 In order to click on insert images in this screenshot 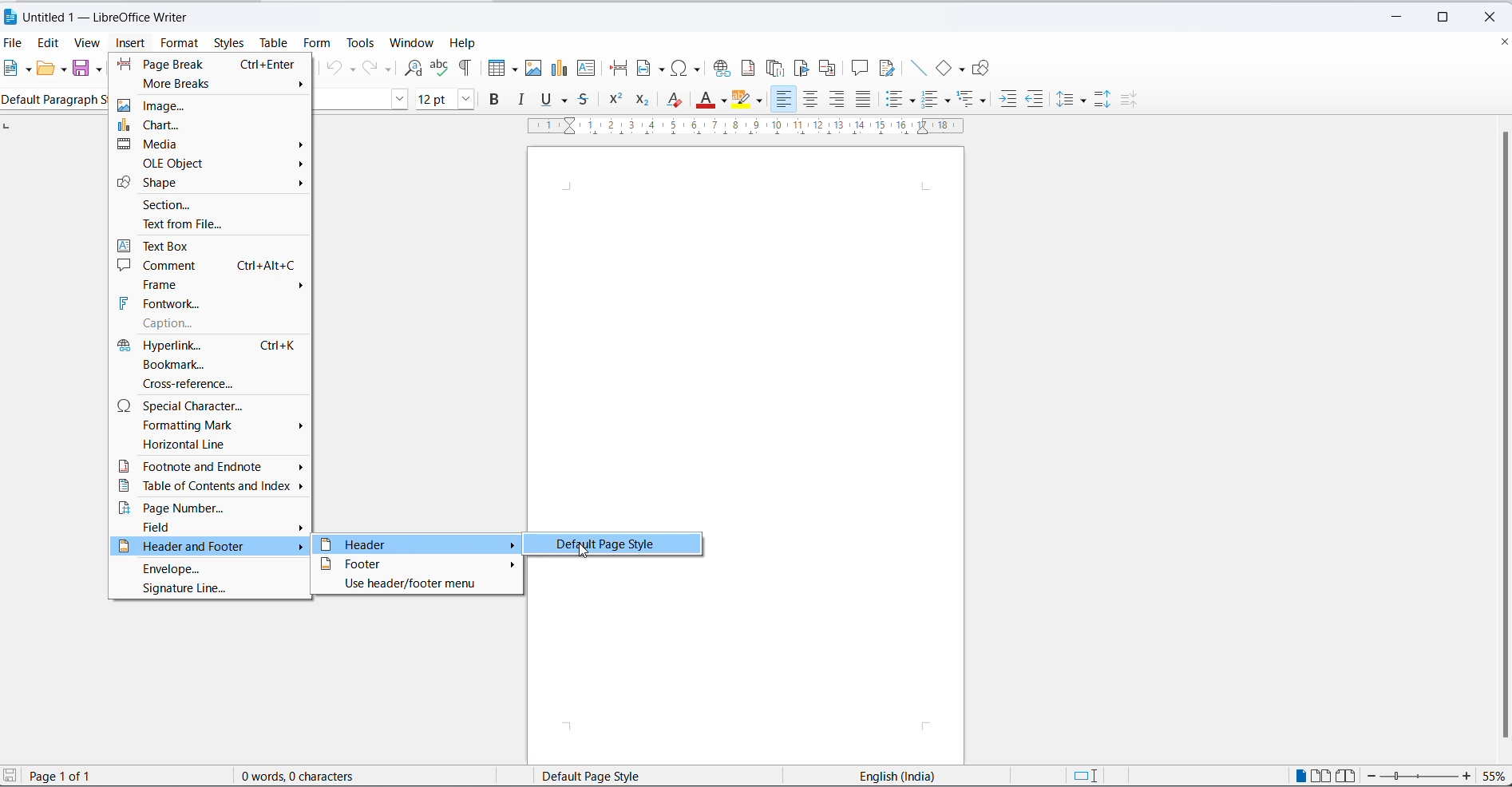, I will do `click(534, 68)`.